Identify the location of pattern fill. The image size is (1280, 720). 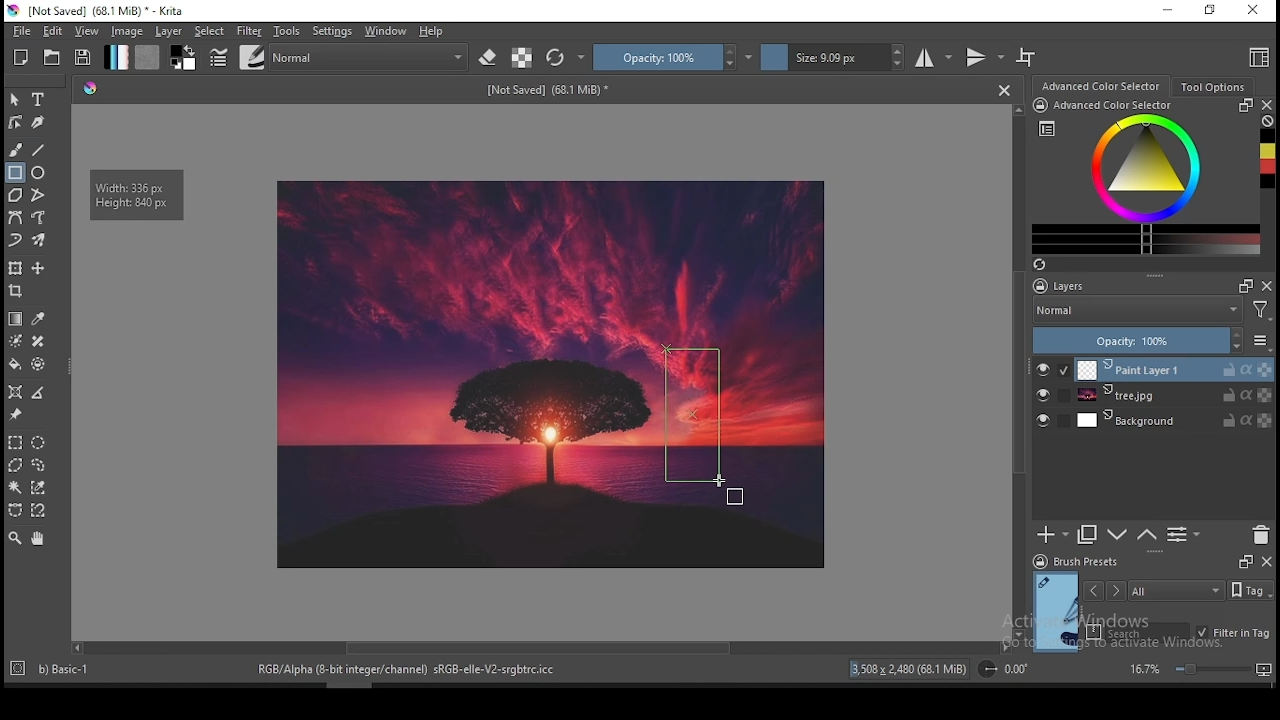
(148, 58).